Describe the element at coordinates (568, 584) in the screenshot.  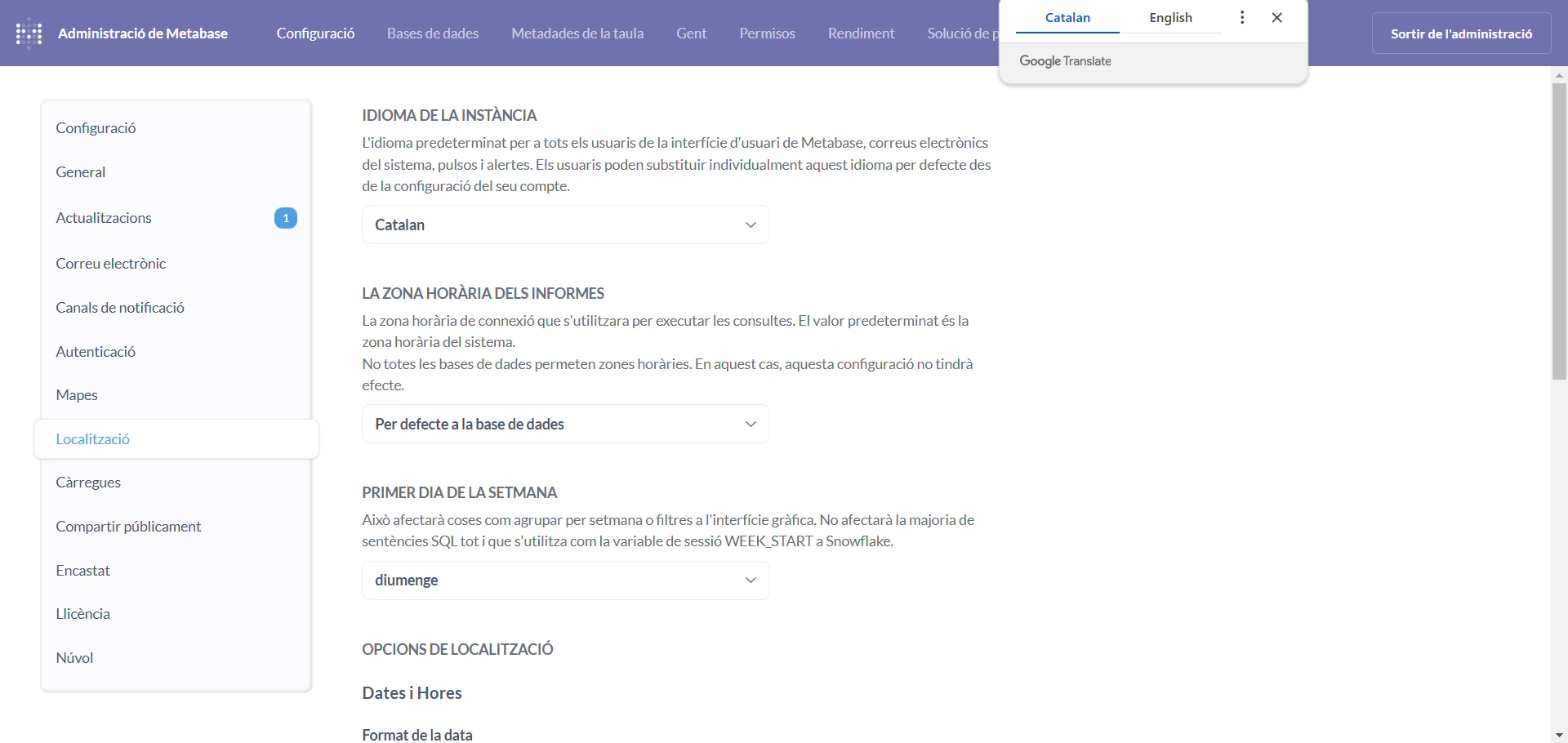
I see `diumenge ` at that location.